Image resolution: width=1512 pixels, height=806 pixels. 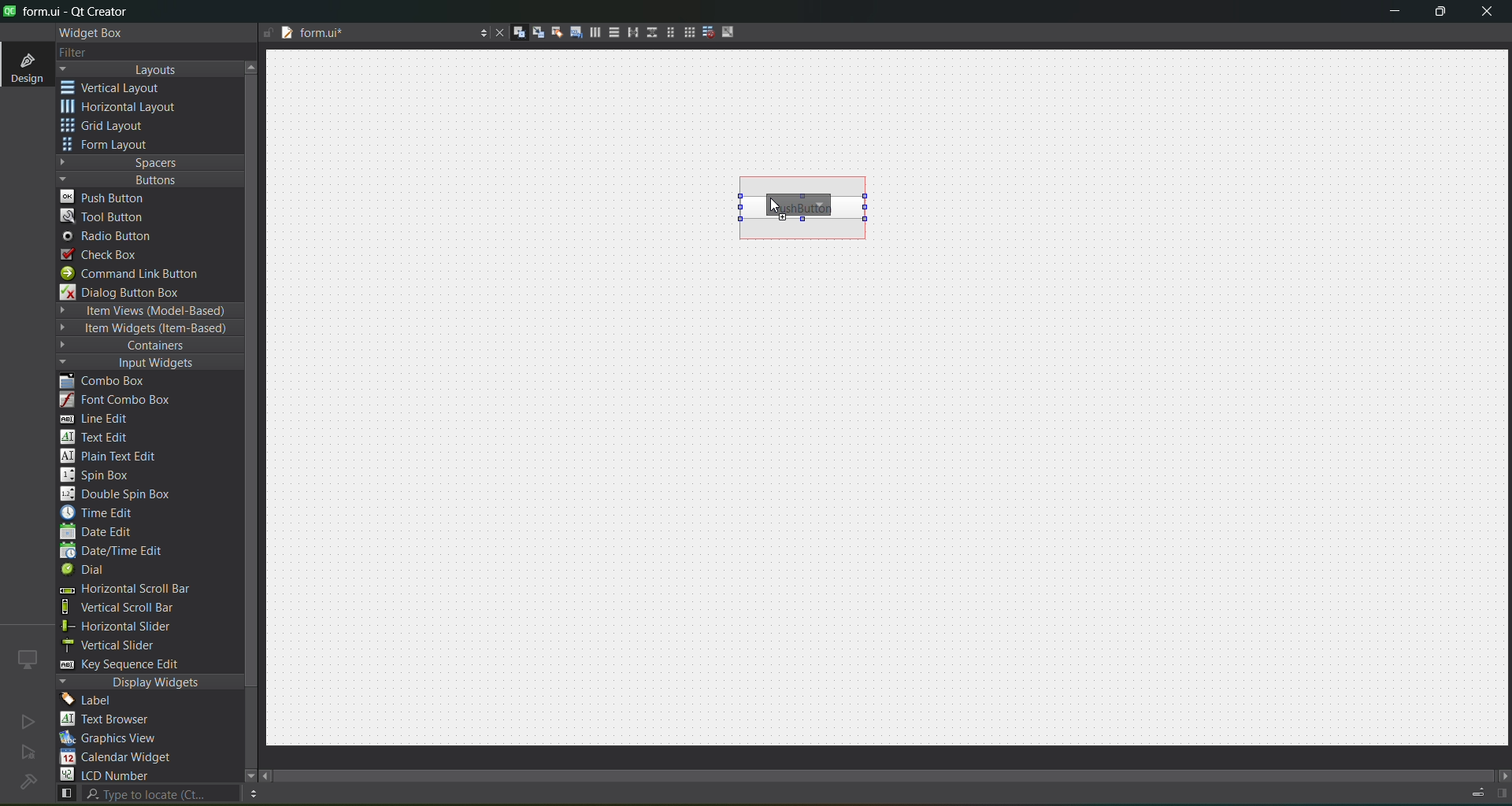 I want to click on date edit, so click(x=100, y=533).